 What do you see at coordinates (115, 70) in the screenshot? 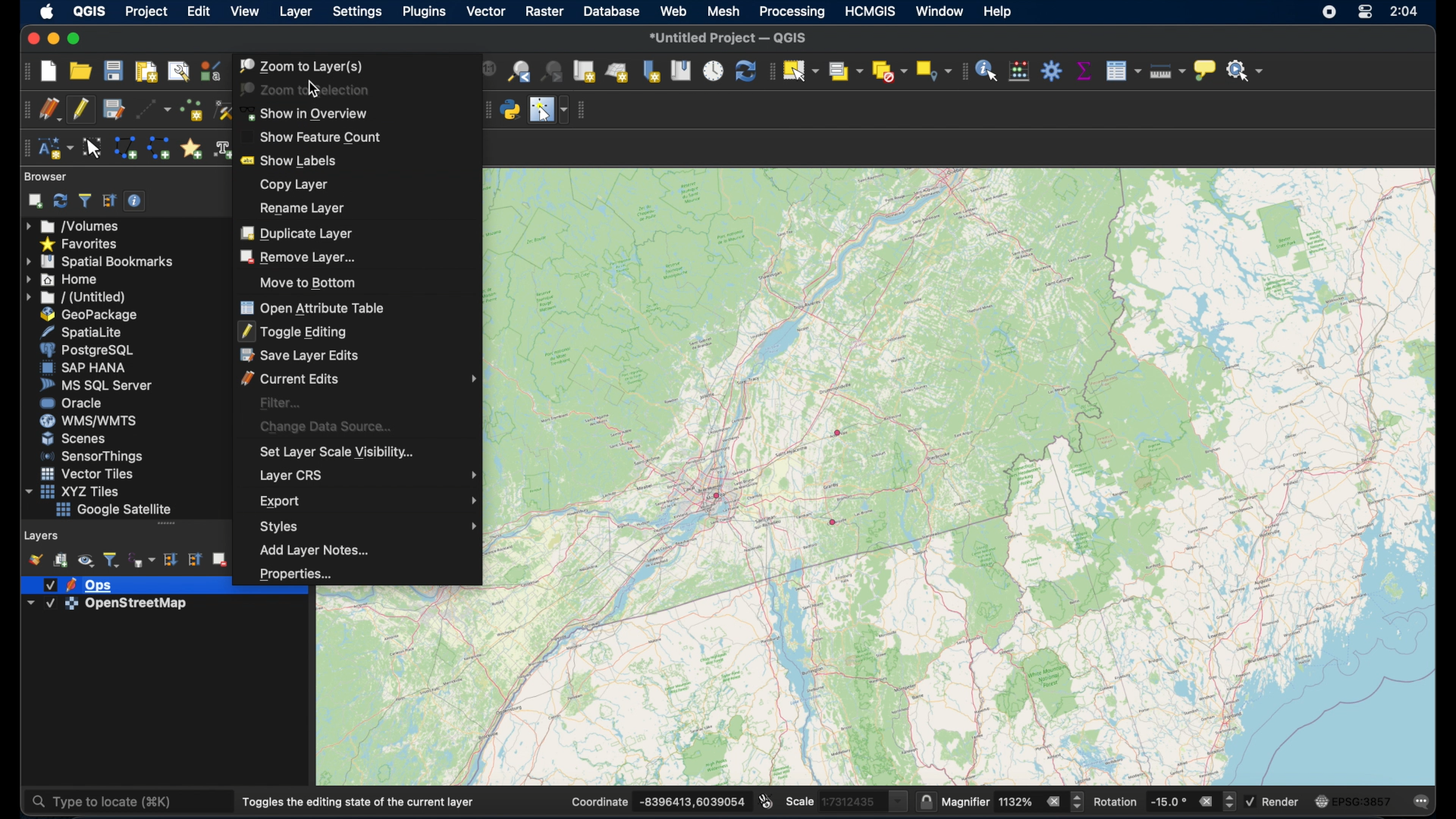
I see `save project` at bounding box center [115, 70].